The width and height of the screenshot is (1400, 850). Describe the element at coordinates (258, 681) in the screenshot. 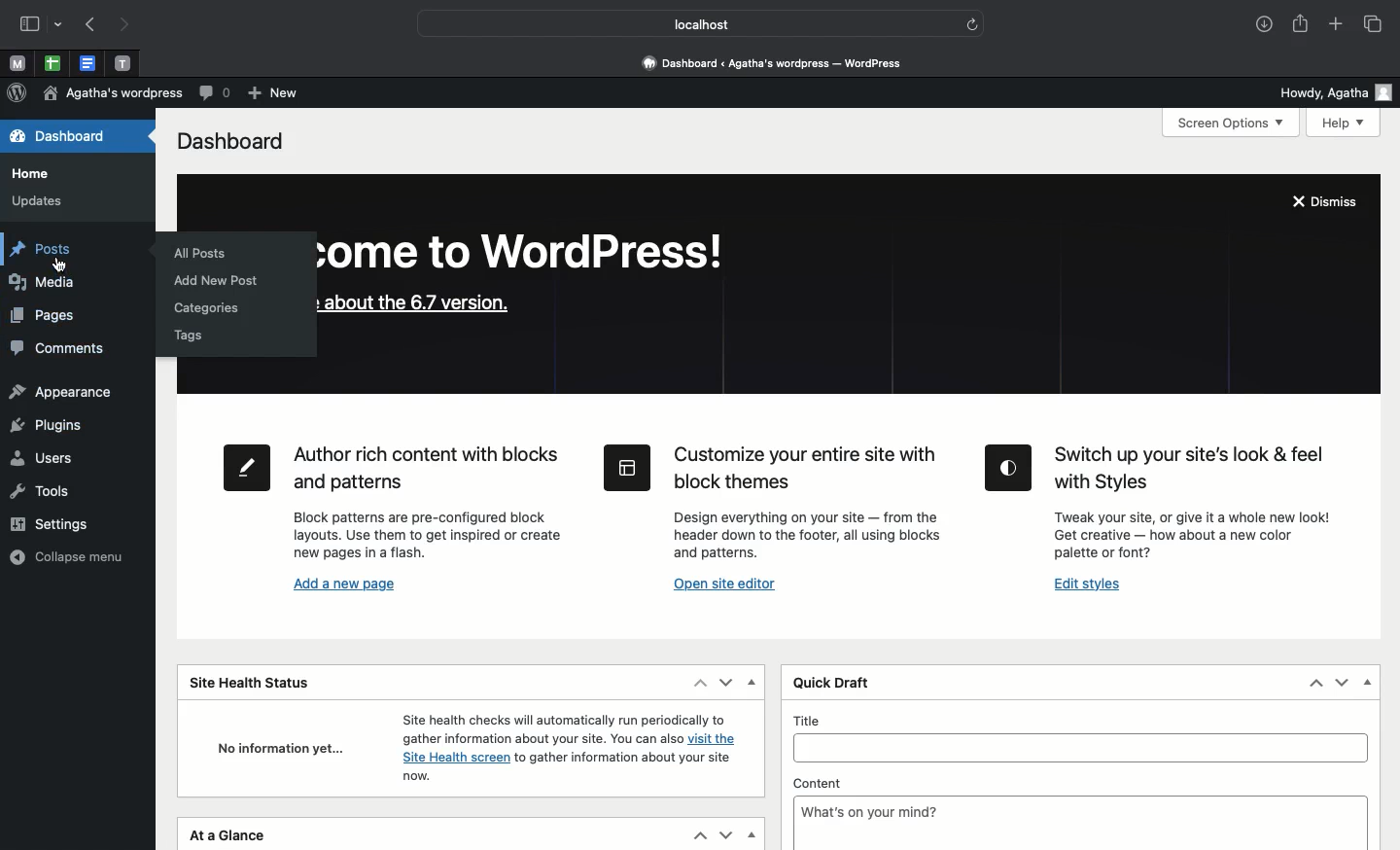

I see `Site health status` at that location.